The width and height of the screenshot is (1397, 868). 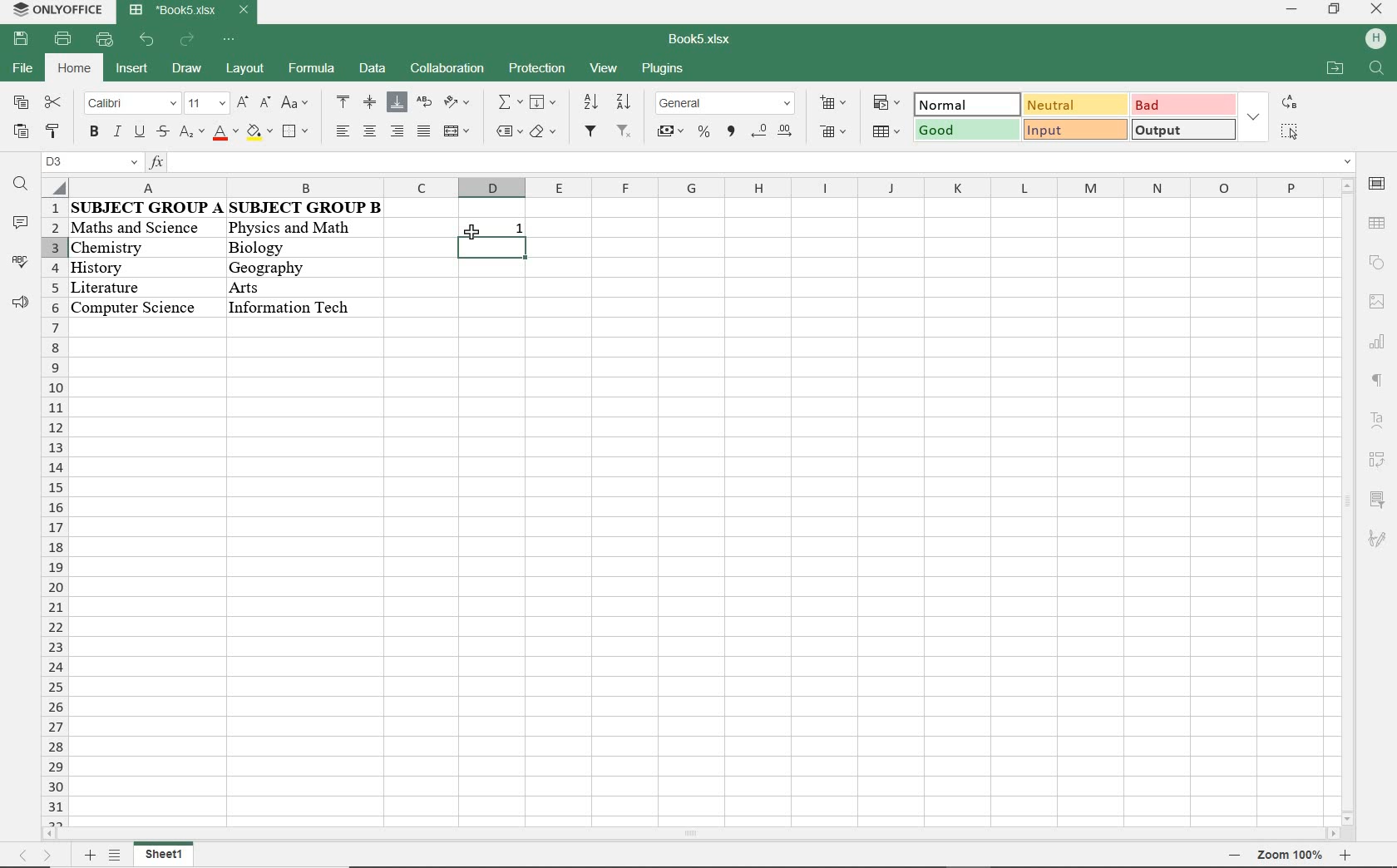 I want to click on paragraph settings, so click(x=1377, y=380).